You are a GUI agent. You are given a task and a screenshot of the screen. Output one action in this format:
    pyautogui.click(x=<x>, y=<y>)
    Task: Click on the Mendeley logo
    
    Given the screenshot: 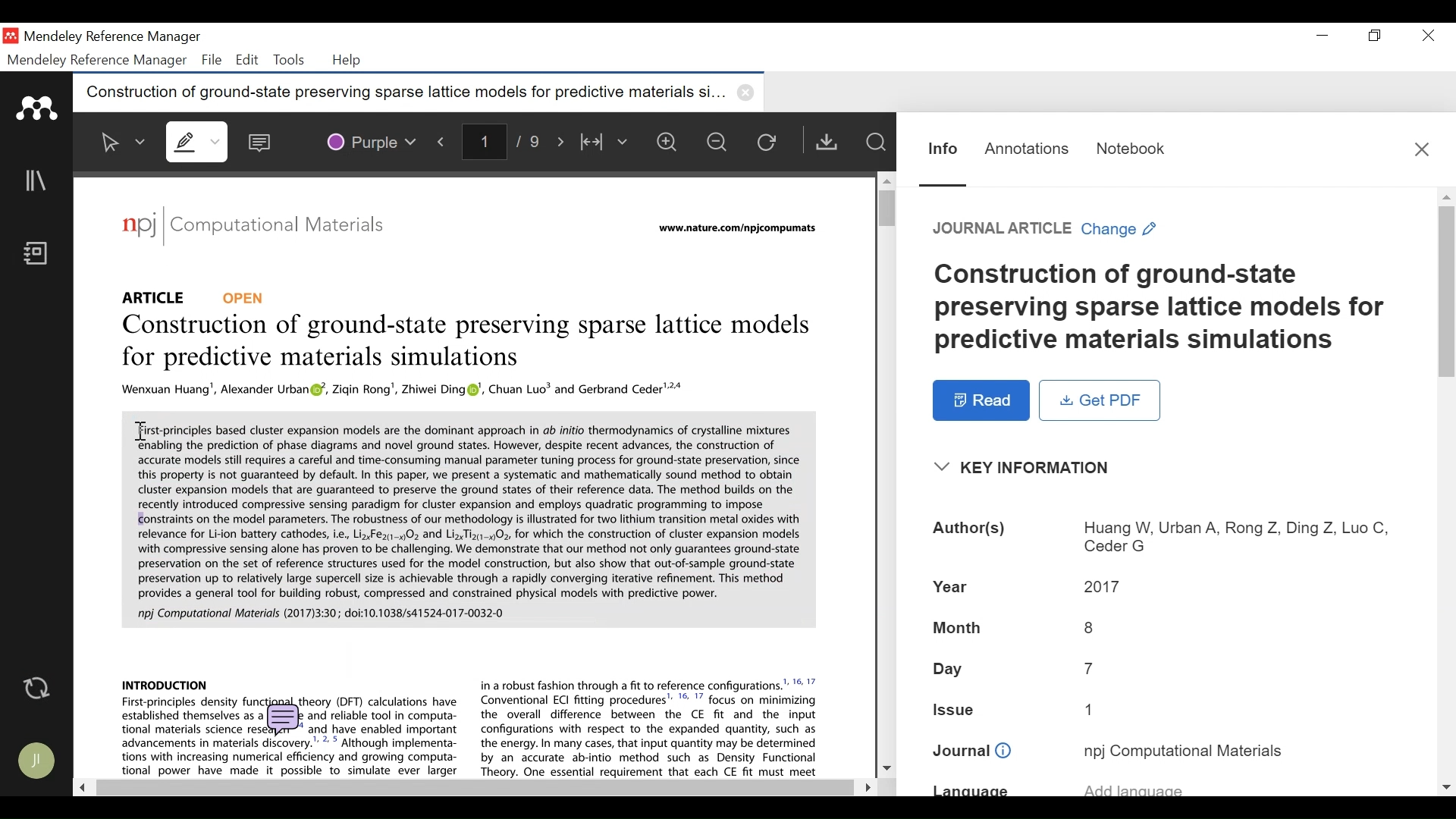 What is the action you would take?
    pyautogui.click(x=39, y=108)
    